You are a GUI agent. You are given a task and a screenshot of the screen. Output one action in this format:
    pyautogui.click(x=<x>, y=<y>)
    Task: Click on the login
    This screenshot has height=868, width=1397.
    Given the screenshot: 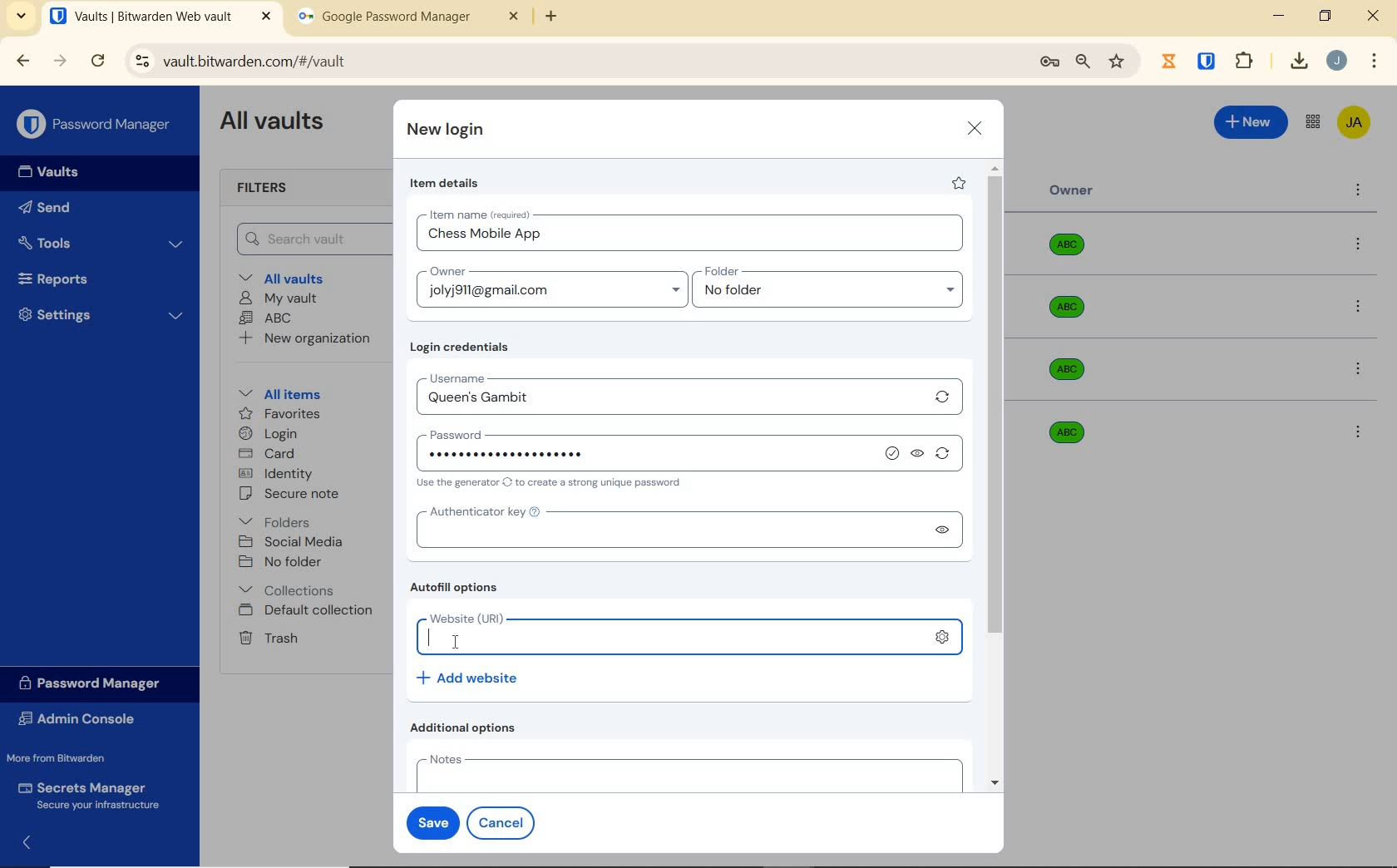 What is the action you would take?
    pyautogui.click(x=268, y=435)
    